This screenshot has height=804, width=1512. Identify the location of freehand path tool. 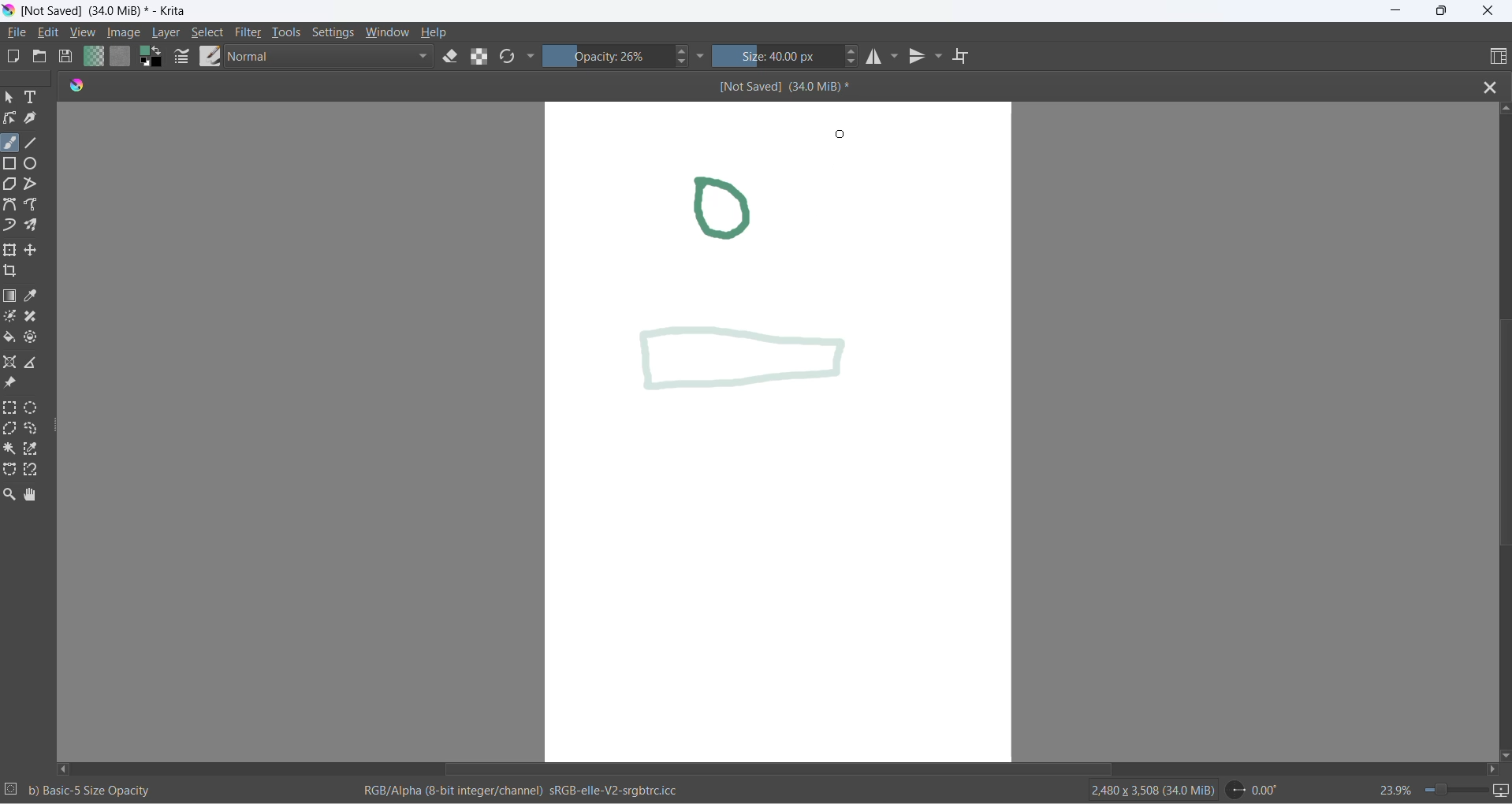
(37, 205).